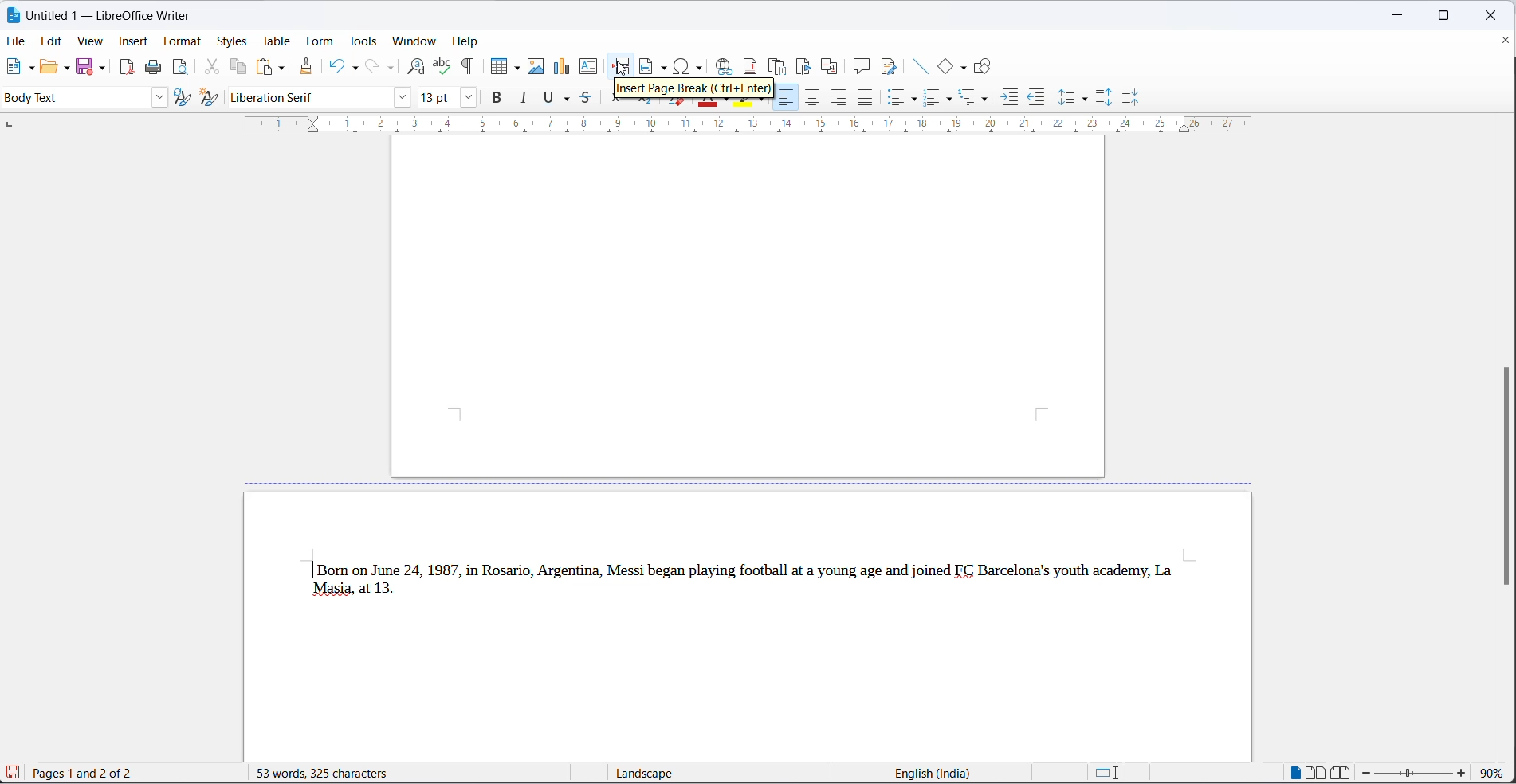  Describe the element at coordinates (839, 99) in the screenshot. I see `text align left` at that location.